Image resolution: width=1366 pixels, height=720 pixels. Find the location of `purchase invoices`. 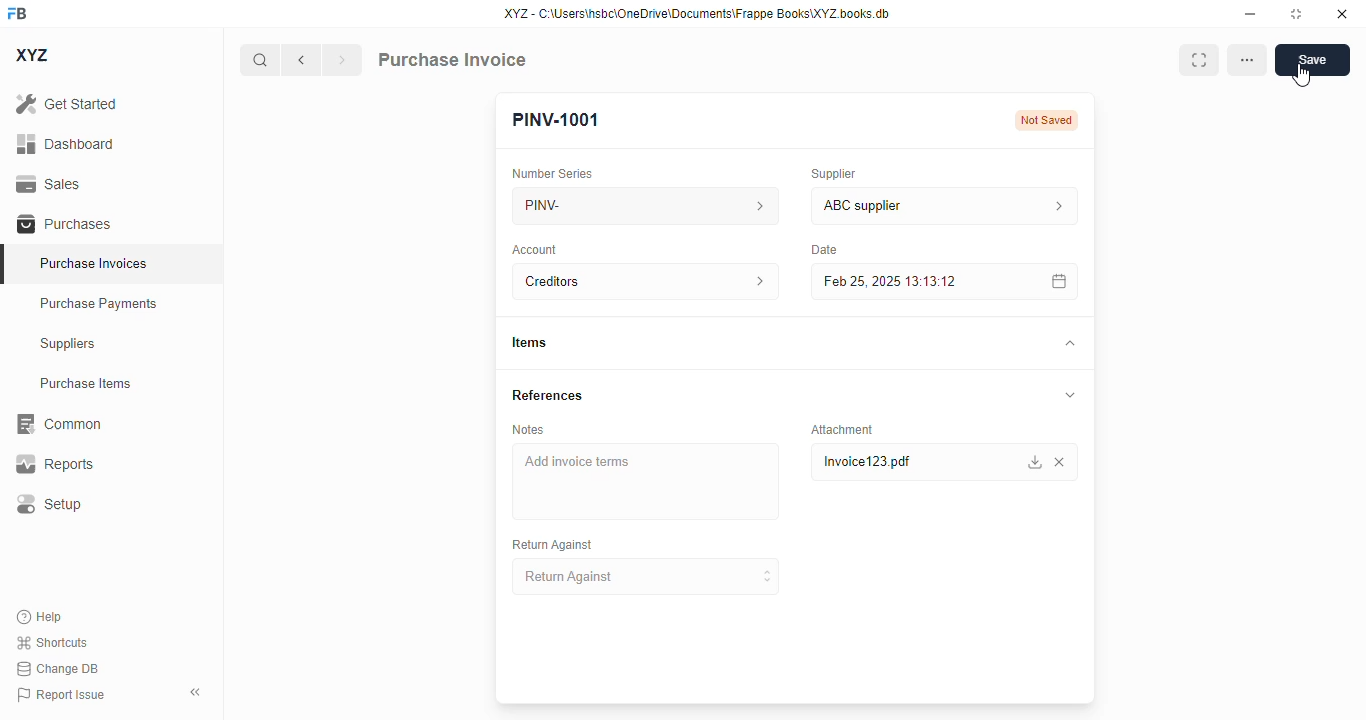

purchase invoices is located at coordinates (96, 263).